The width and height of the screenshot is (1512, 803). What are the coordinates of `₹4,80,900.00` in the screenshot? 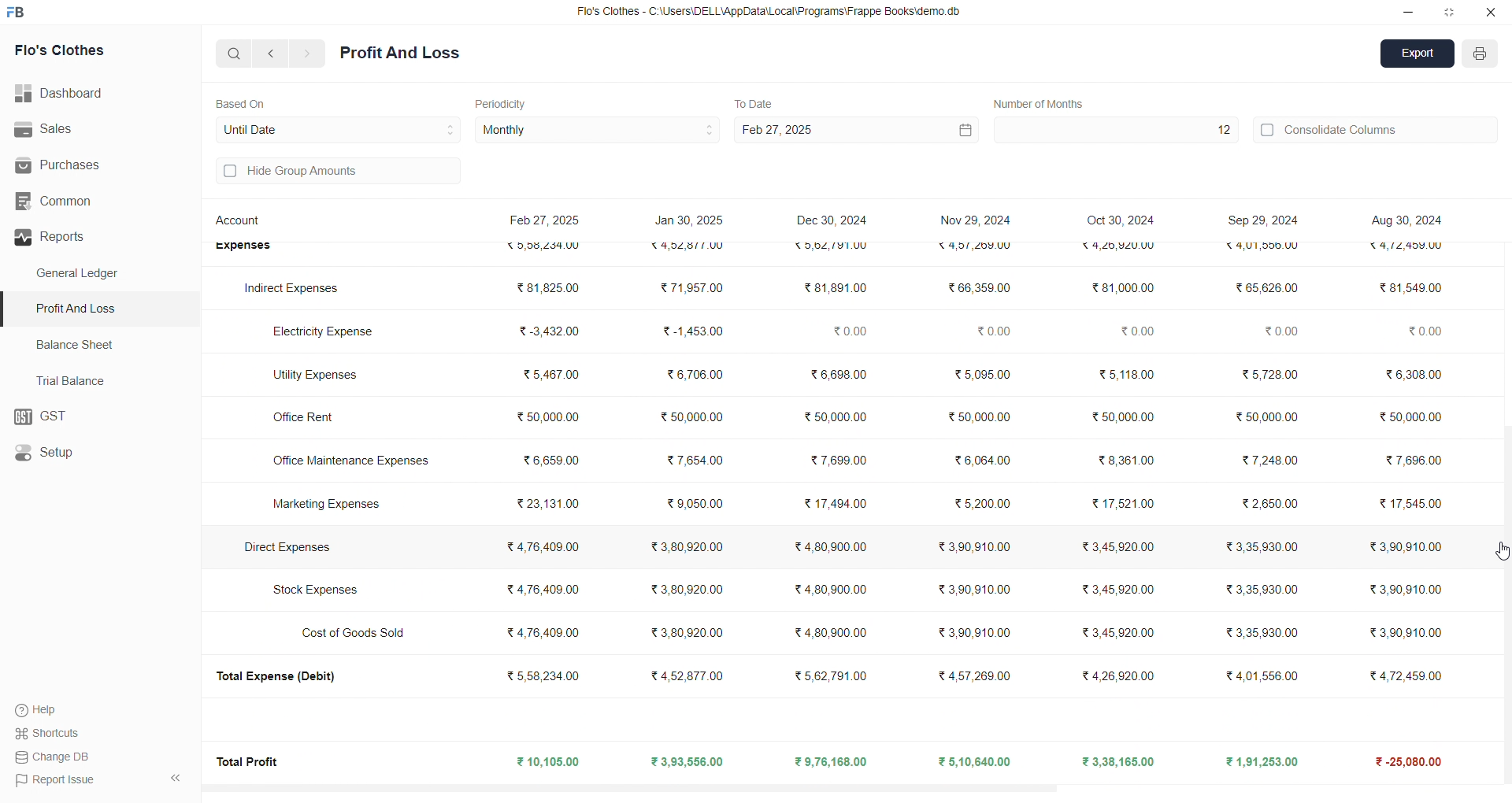 It's located at (830, 548).